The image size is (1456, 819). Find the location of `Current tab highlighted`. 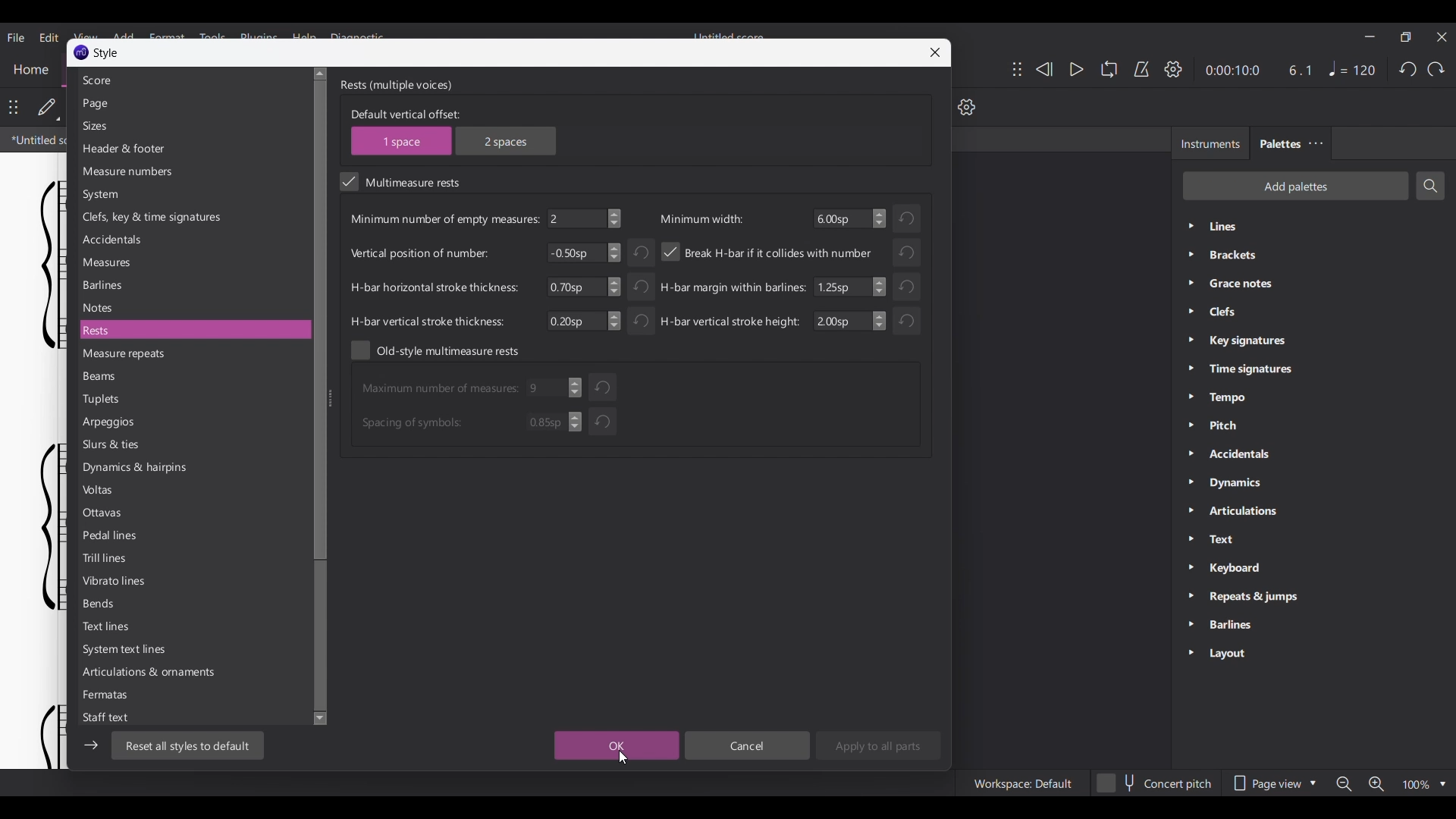

Current tab highlighted is located at coordinates (35, 140).